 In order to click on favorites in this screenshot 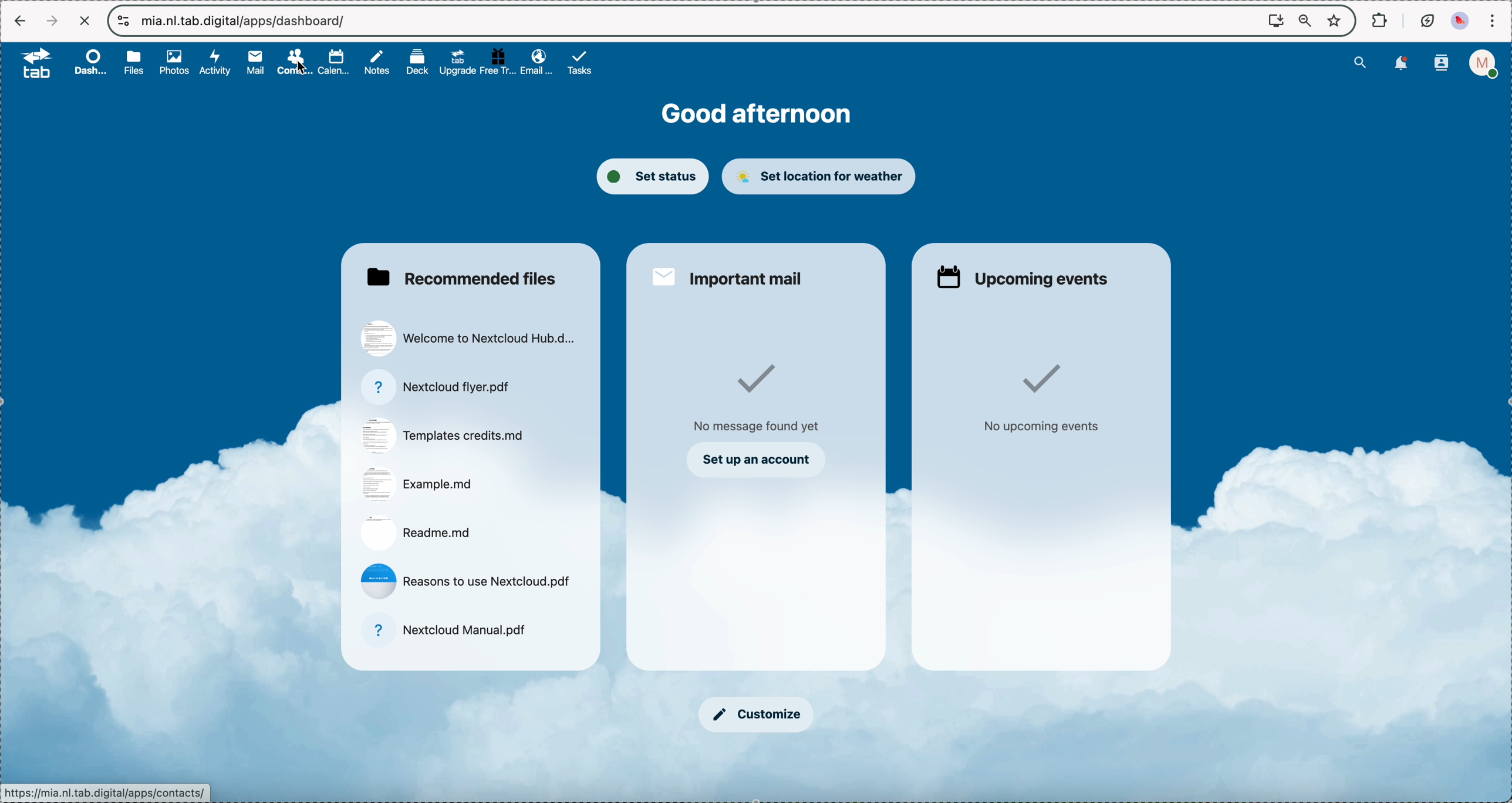, I will do `click(1334, 21)`.